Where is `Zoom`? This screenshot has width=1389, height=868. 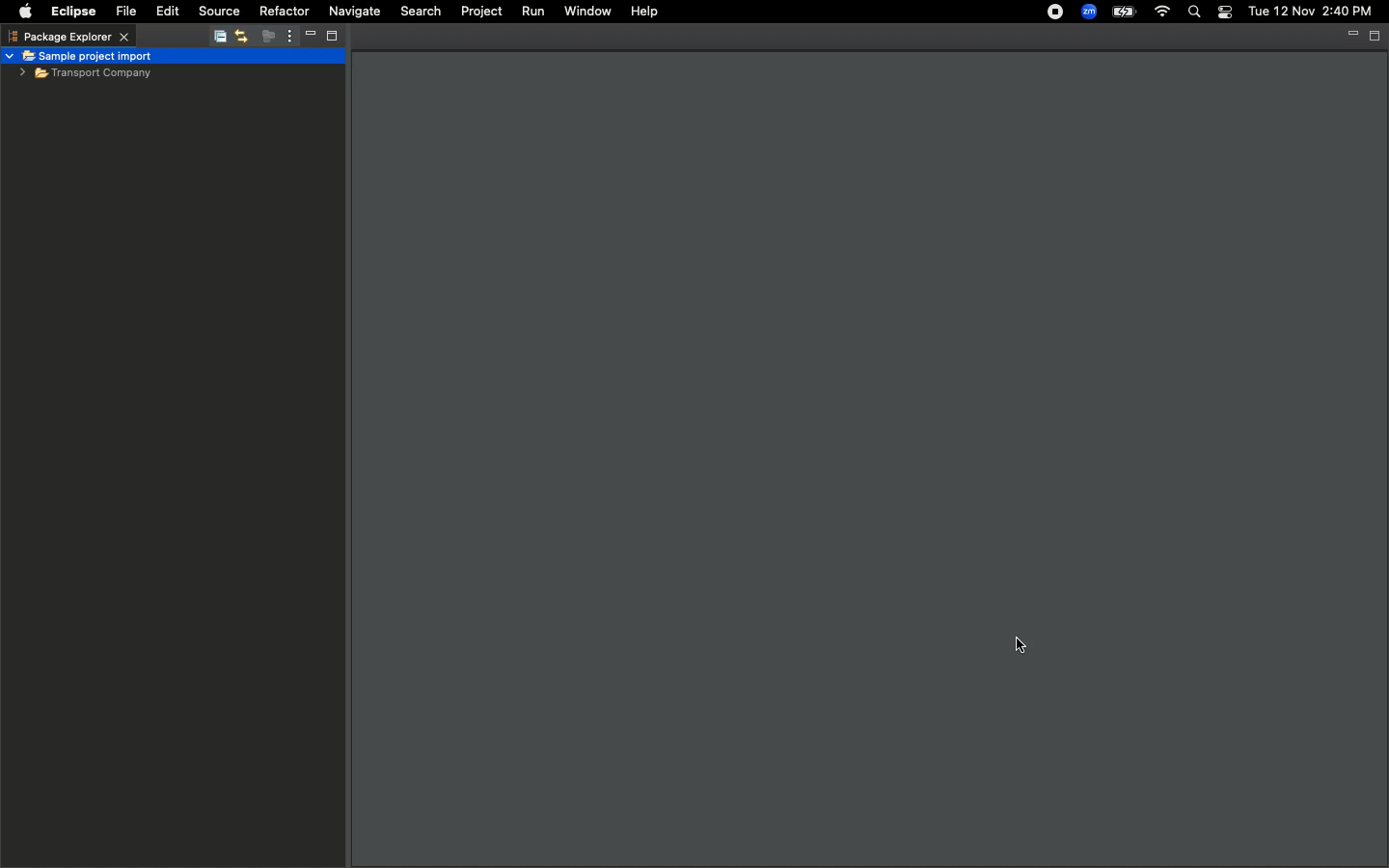 Zoom is located at coordinates (1087, 12).